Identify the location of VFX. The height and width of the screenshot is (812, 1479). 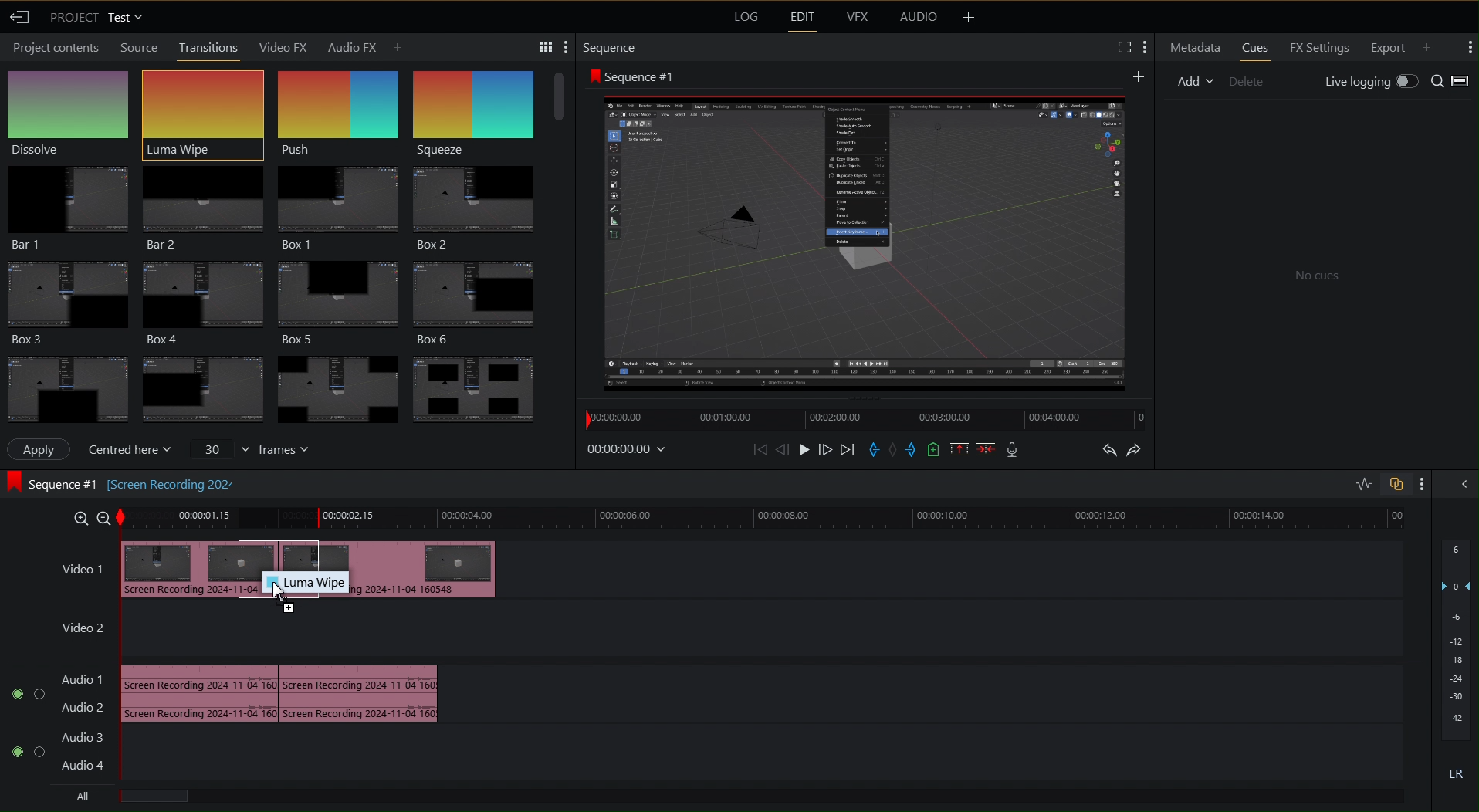
(856, 20).